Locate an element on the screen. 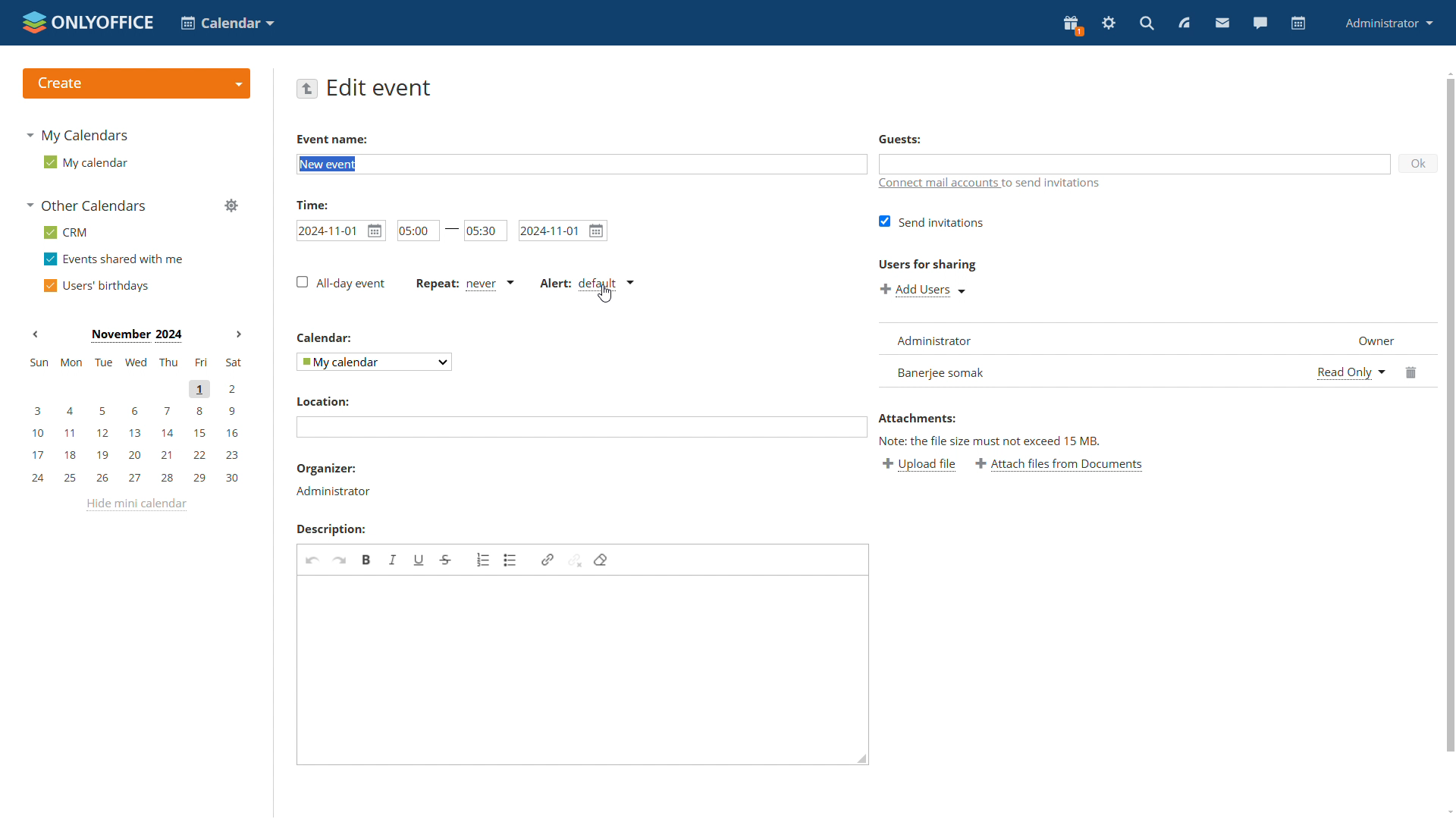 This screenshot has width=1456, height=819. undo is located at coordinates (313, 561).